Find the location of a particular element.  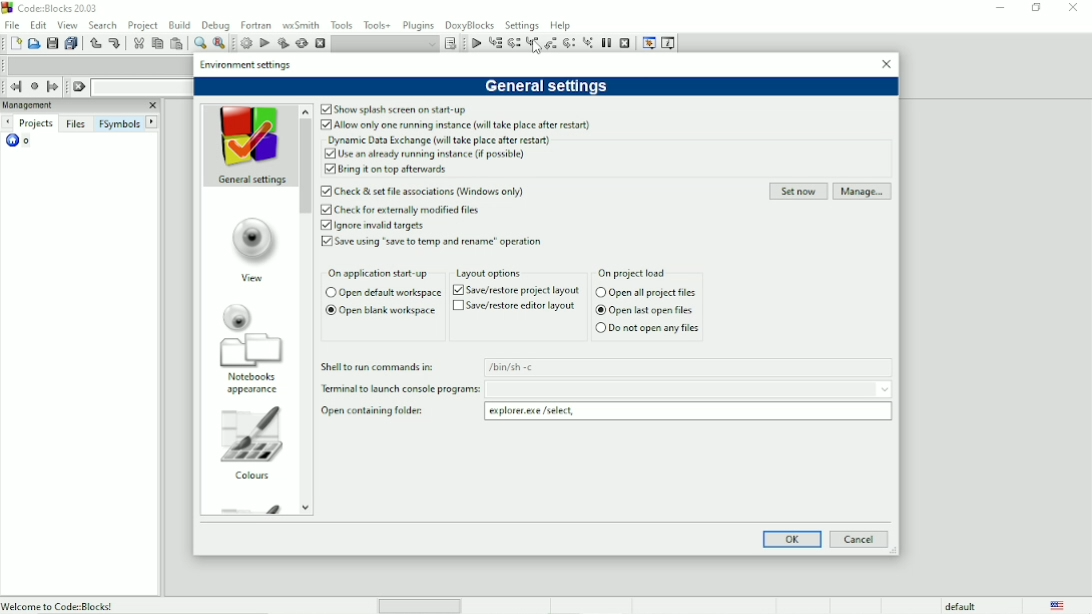

Ignore invalid targets is located at coordinates (377, 225).